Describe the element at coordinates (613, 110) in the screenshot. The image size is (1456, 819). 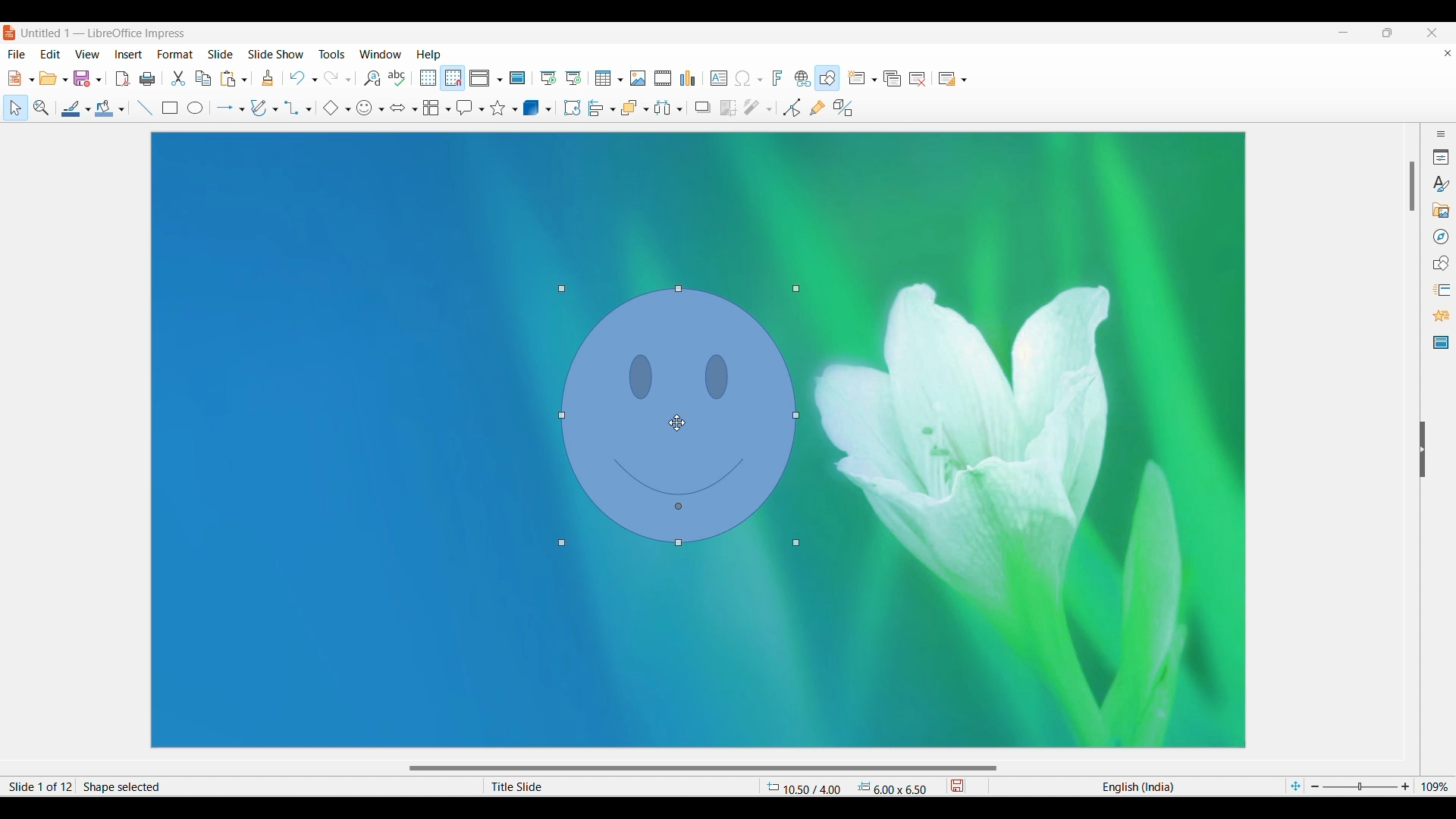
I see `Align options` at that location.